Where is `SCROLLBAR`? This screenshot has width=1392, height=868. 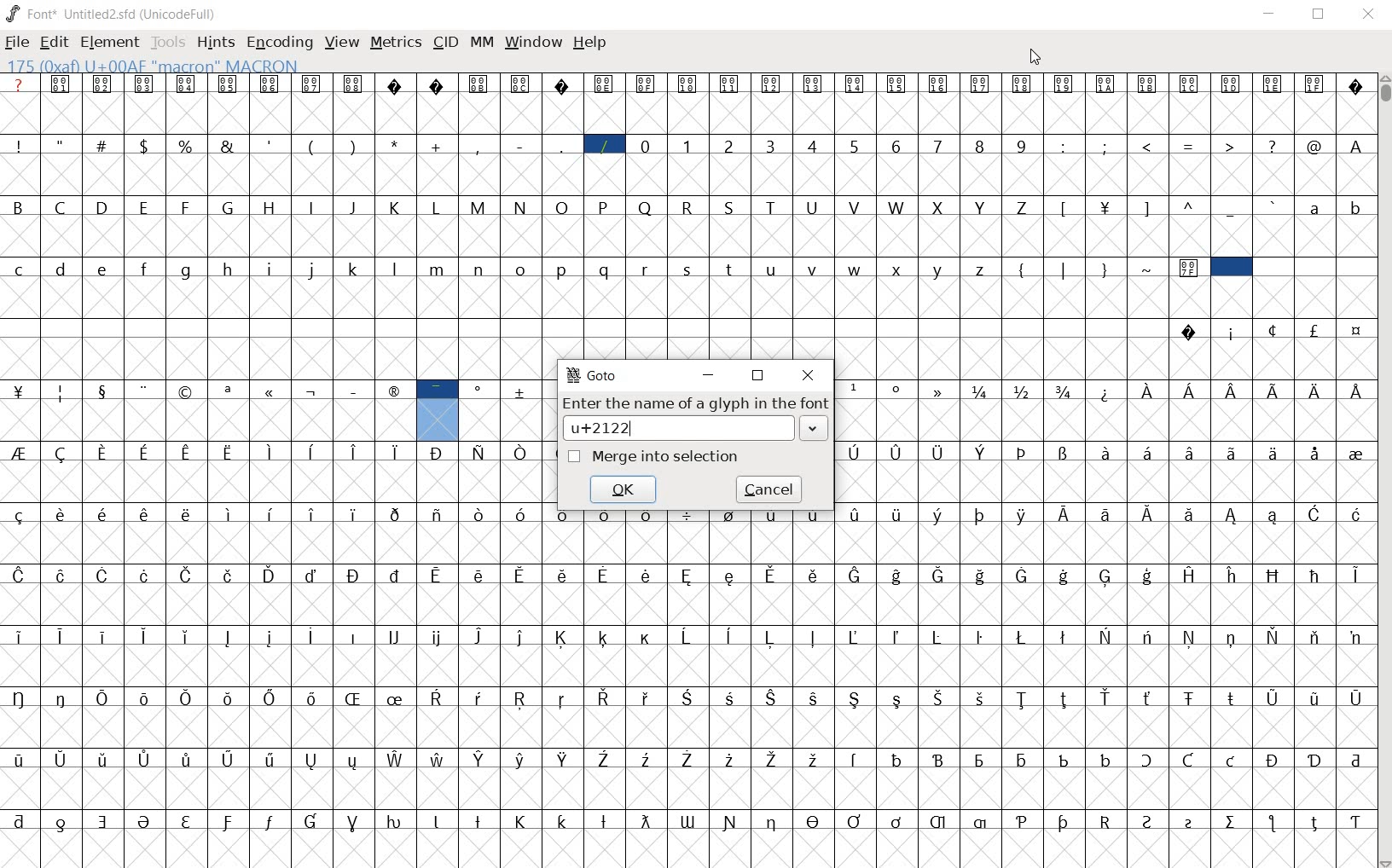
SCROLLBAR is located at coordinates (1383, 472).